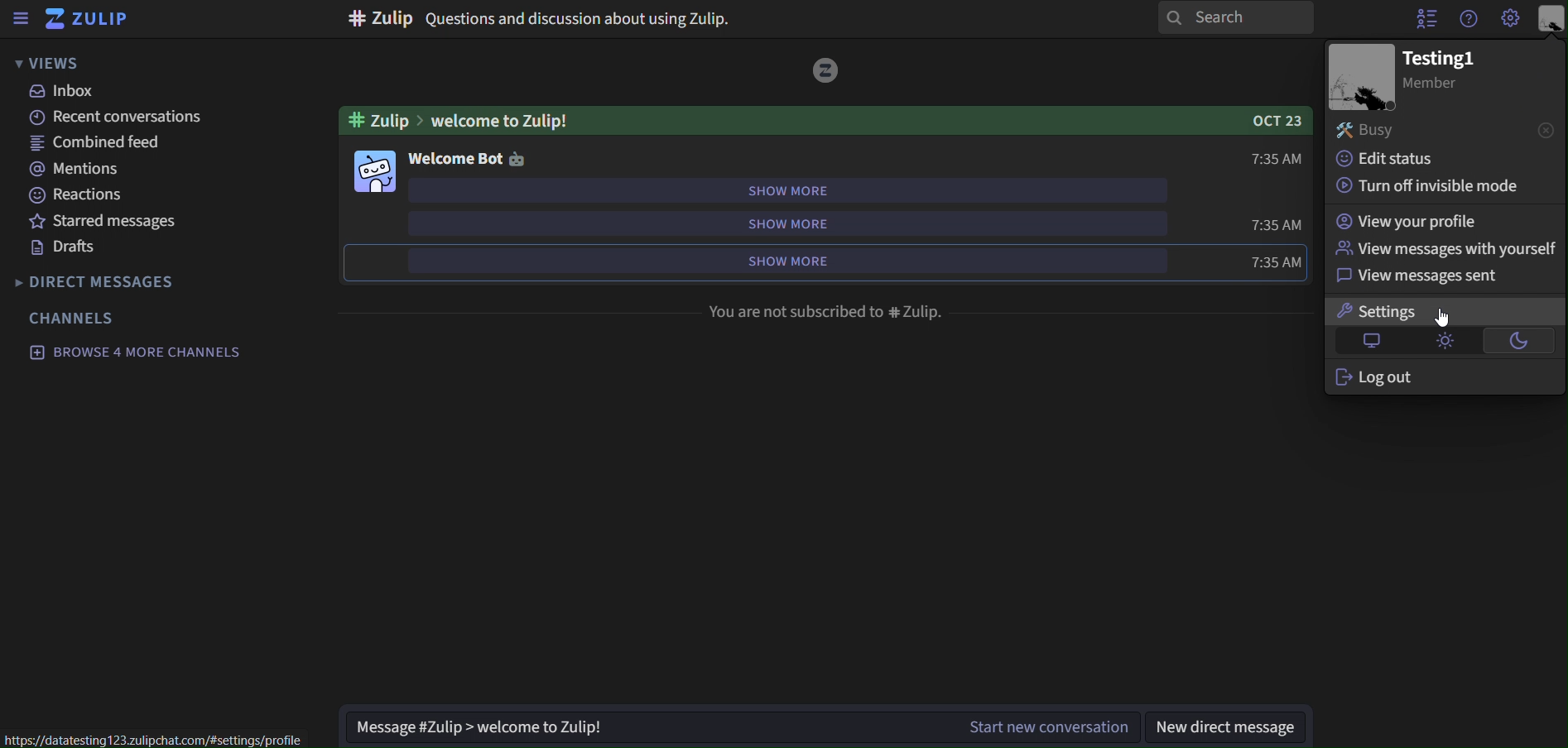 Image resolution: width=1568 pixels, height=748 pixels. What do you see at coordinates (1551, 18) in the screenshot?
I see `personal menu` at bounding box center [1551, 18].